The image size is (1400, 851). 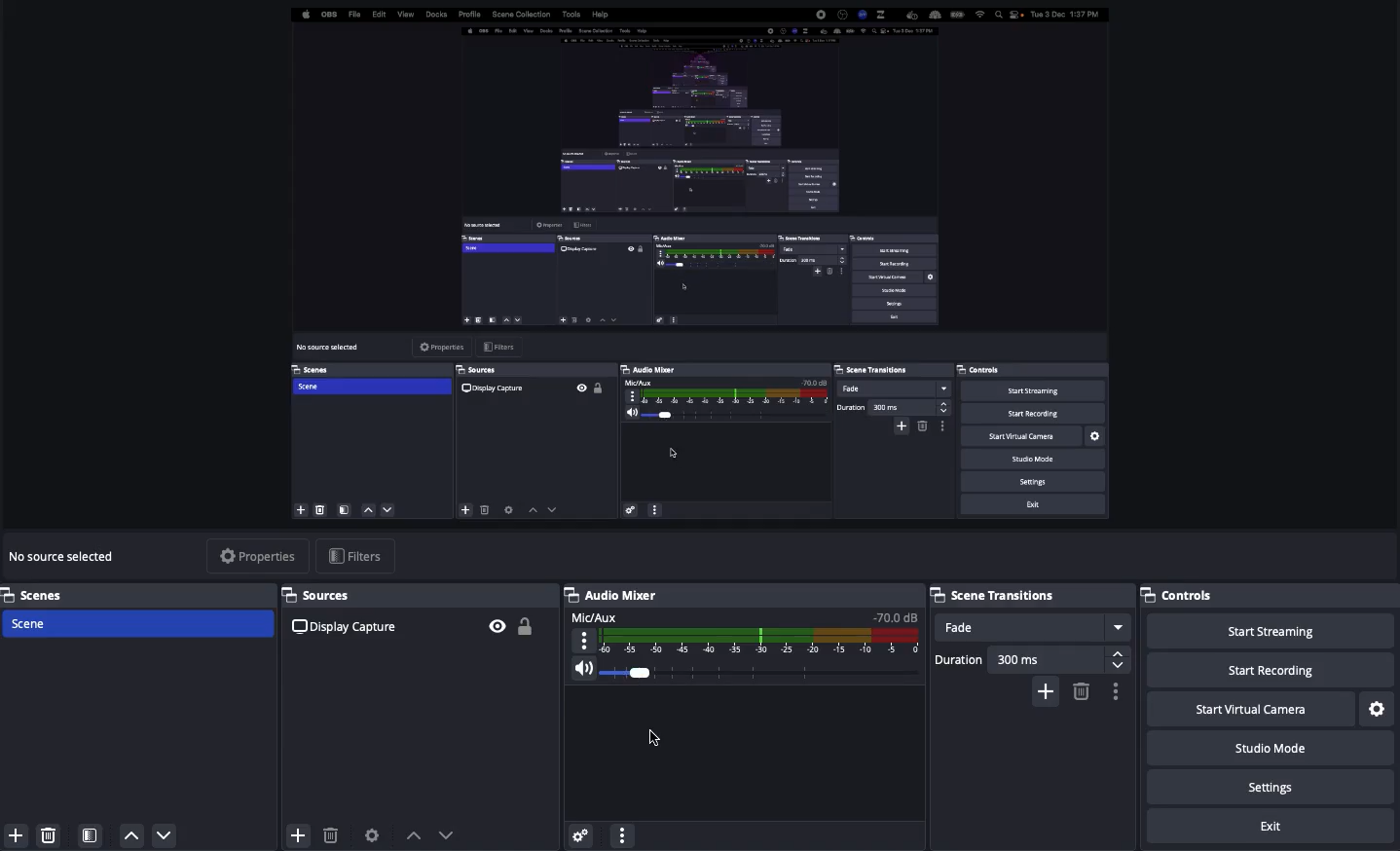 What do you see at coordinates (66, 556) in the screenshot?
I see `No source selected` at bounding box center [66, 556].